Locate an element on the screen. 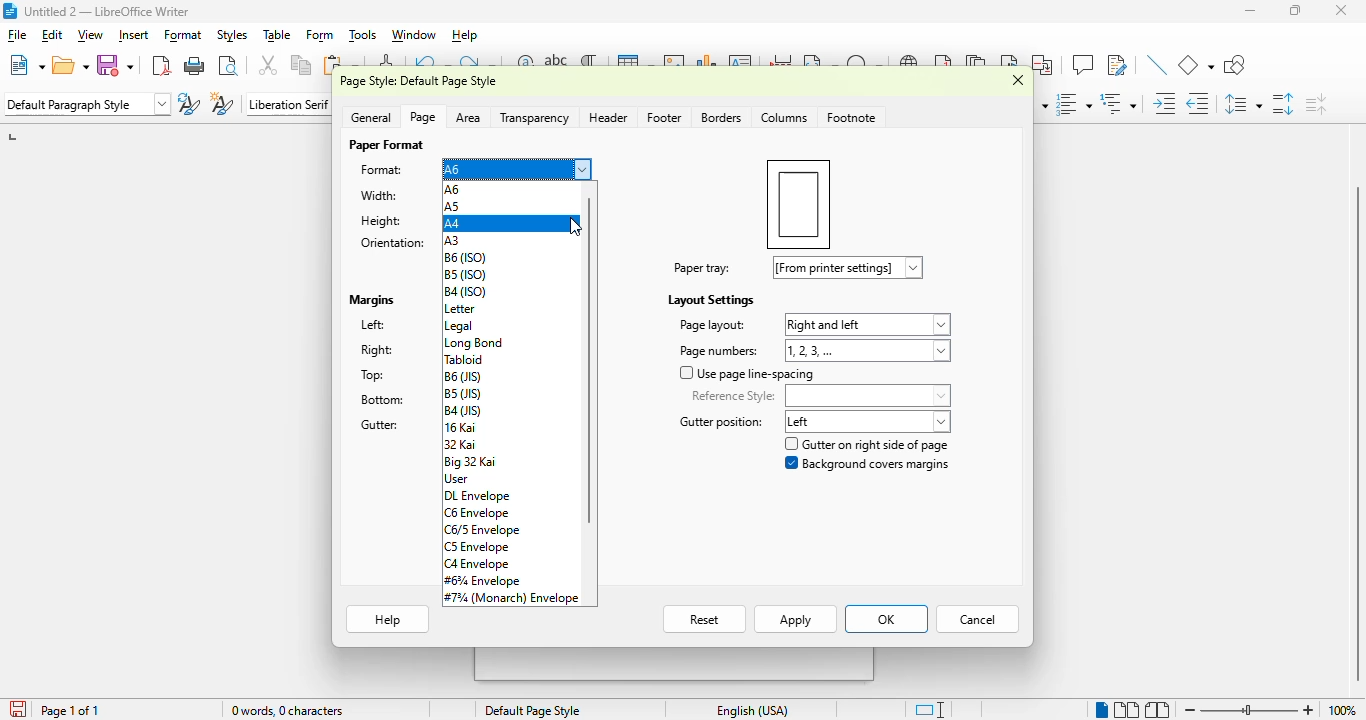 Image resolution: width=1366 pixels, height=720 pixels. transparency is located at coordinates (535, 119).